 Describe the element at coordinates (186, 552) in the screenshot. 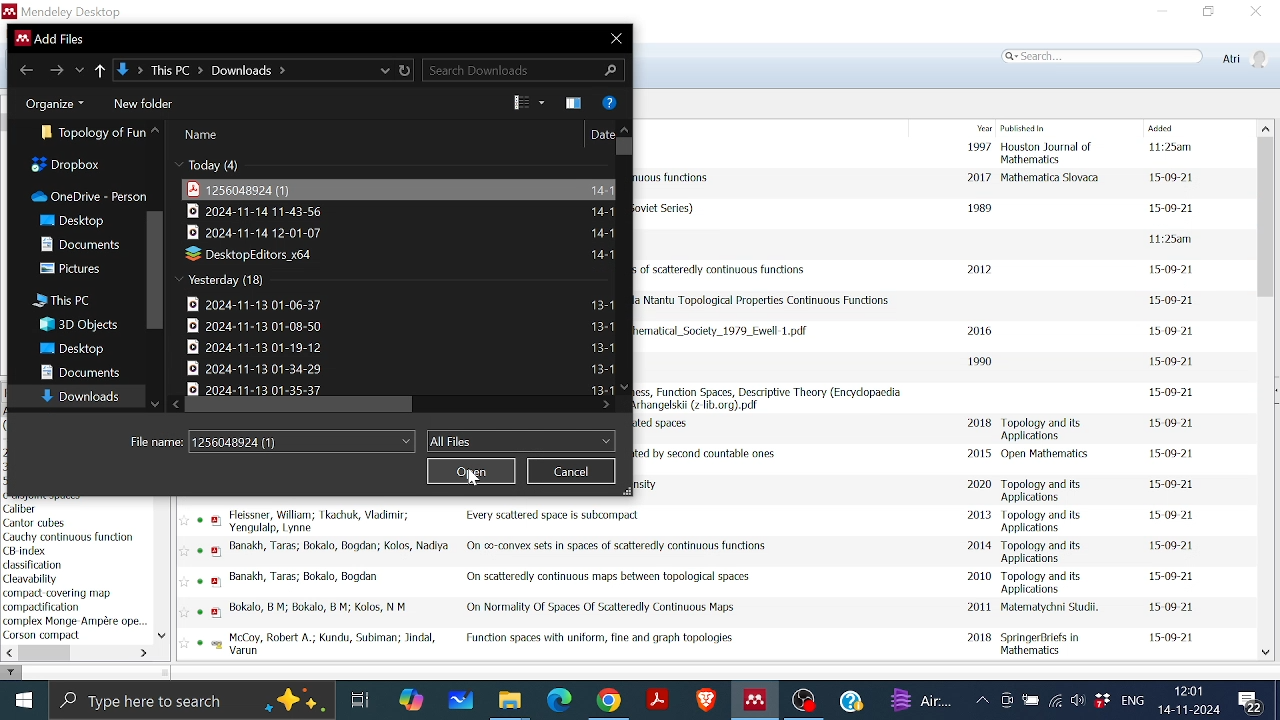

I see `favourite` at that location.